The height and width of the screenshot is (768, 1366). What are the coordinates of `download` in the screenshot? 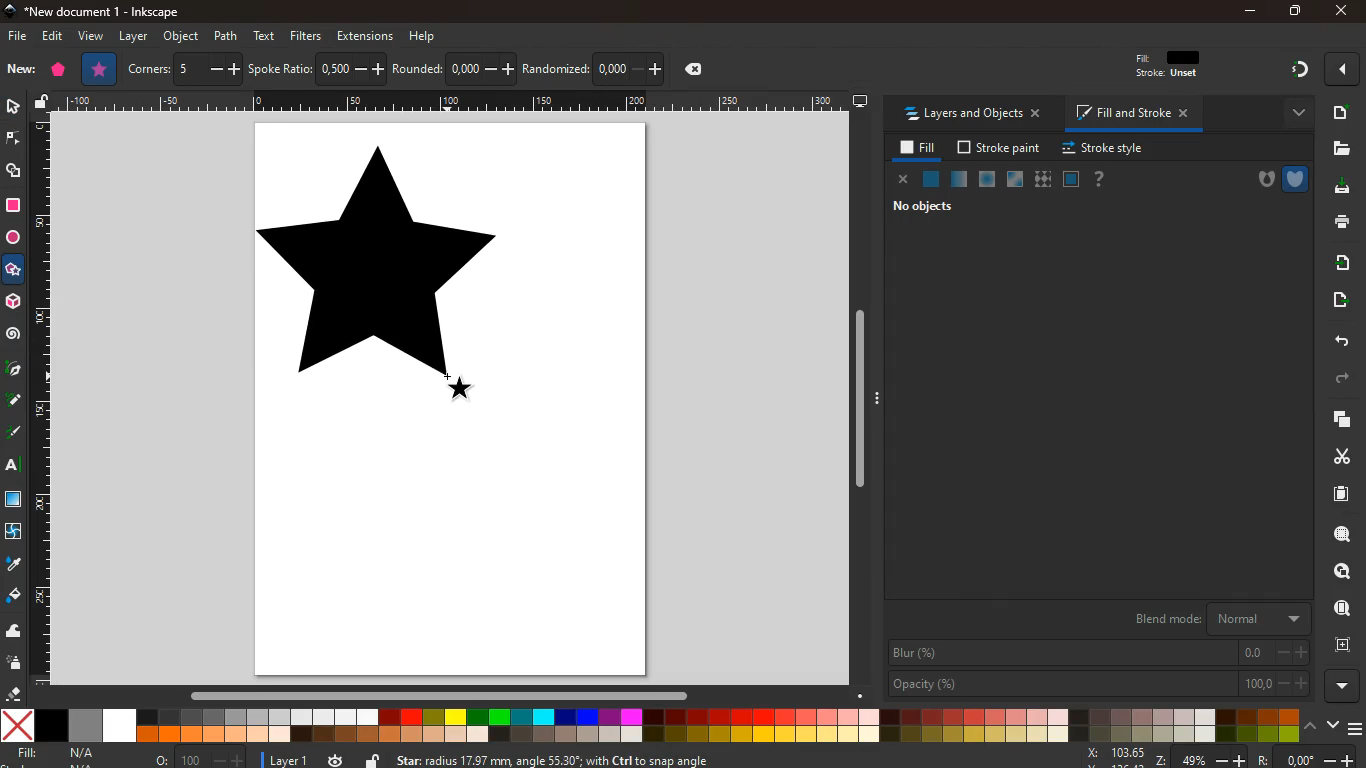 It's located at (1342, 188).